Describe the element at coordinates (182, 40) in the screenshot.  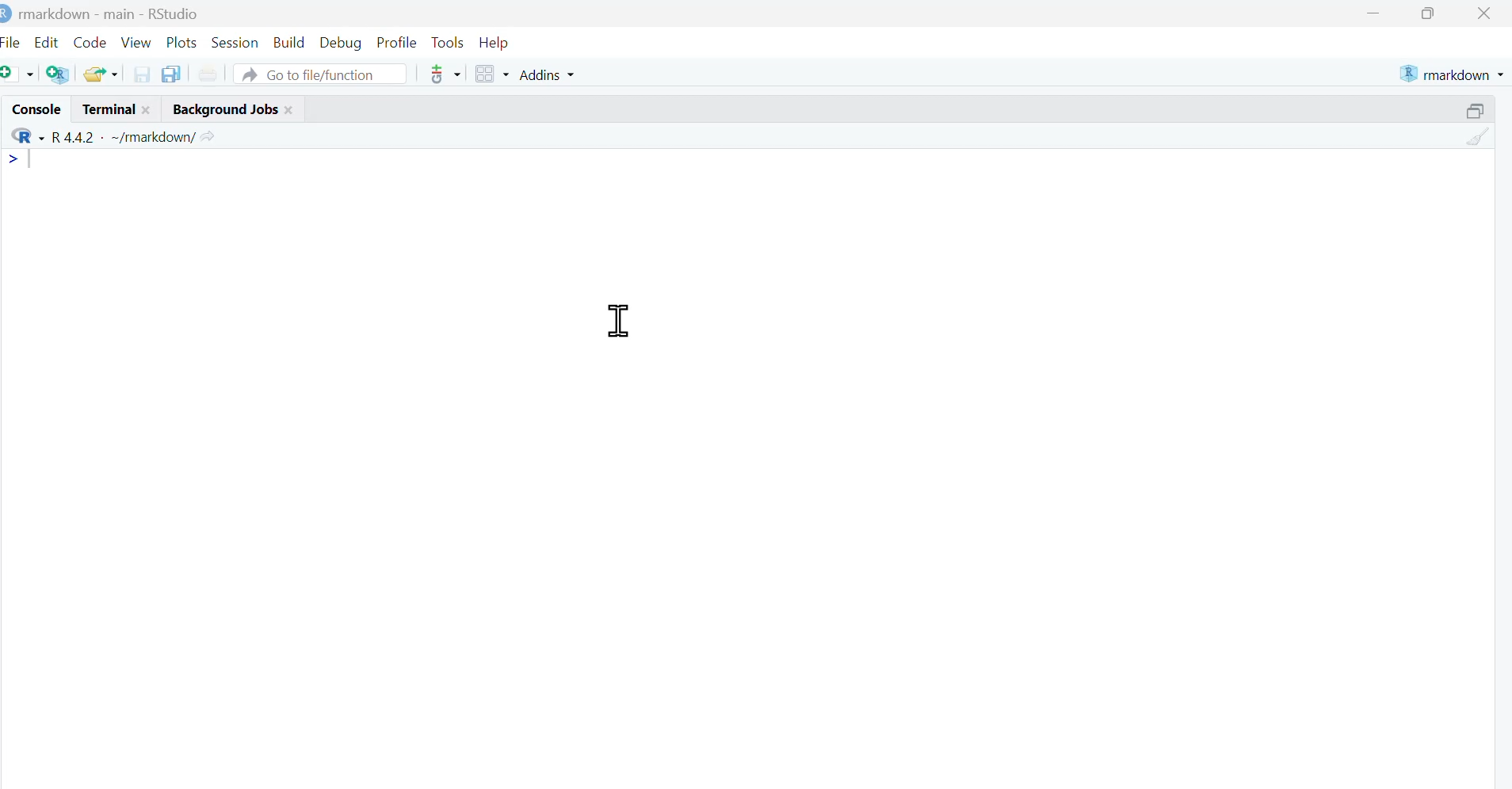
I see `Plots` at that location.